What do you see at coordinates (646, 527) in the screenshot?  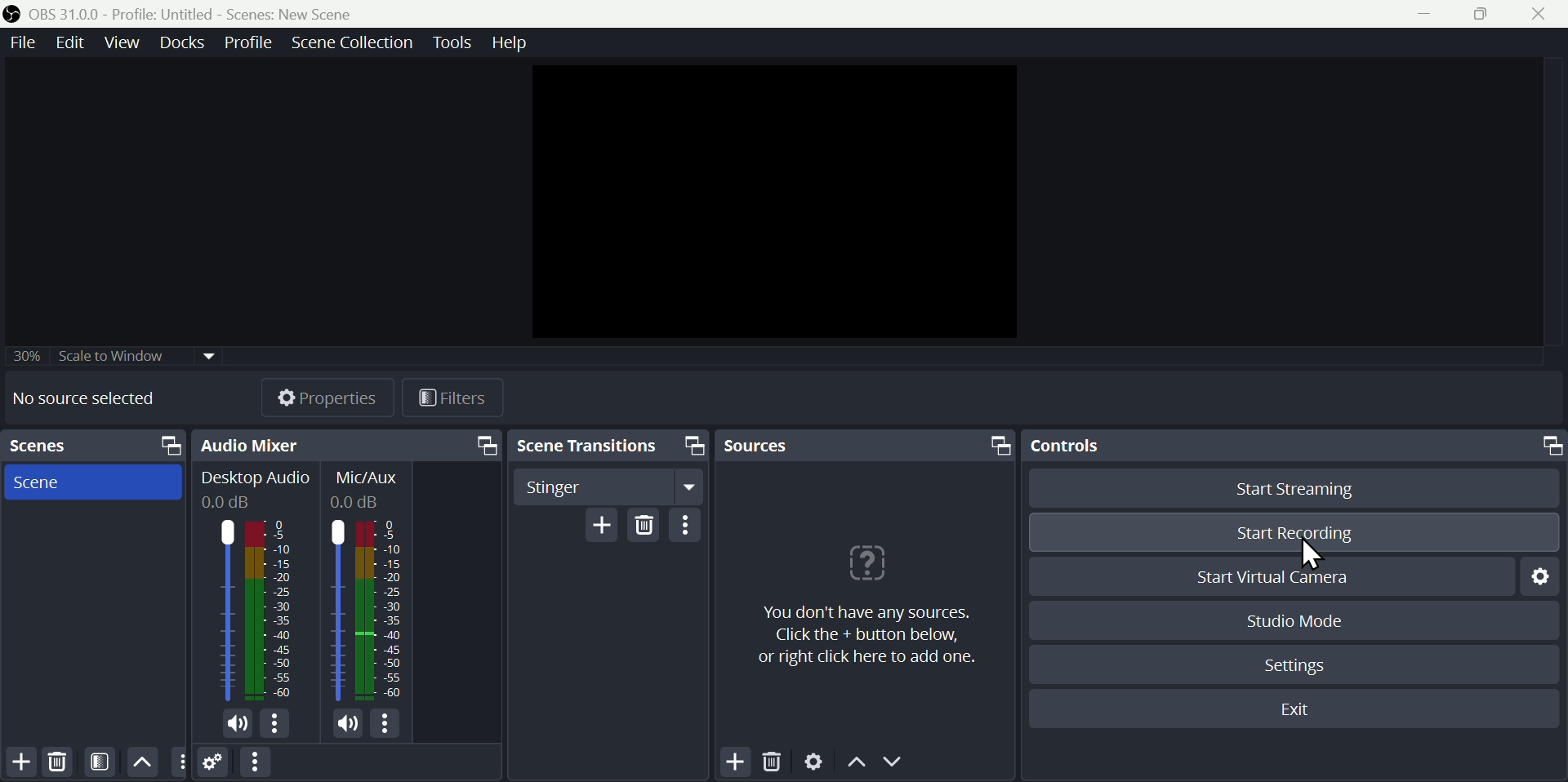 I see `Delete` at bounding box center [646, 527].